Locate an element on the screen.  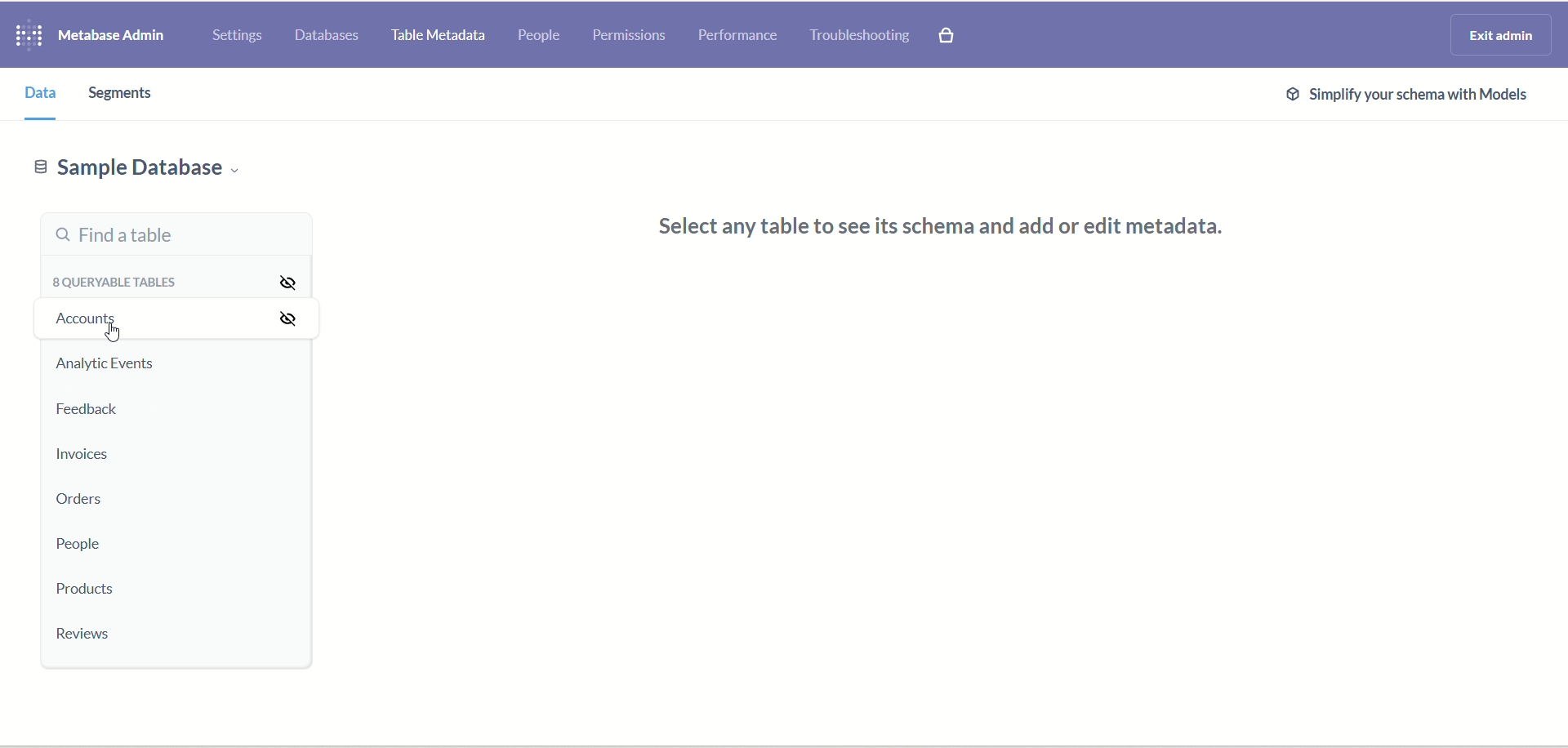
metabase logo is located at coordinates (27, 38).